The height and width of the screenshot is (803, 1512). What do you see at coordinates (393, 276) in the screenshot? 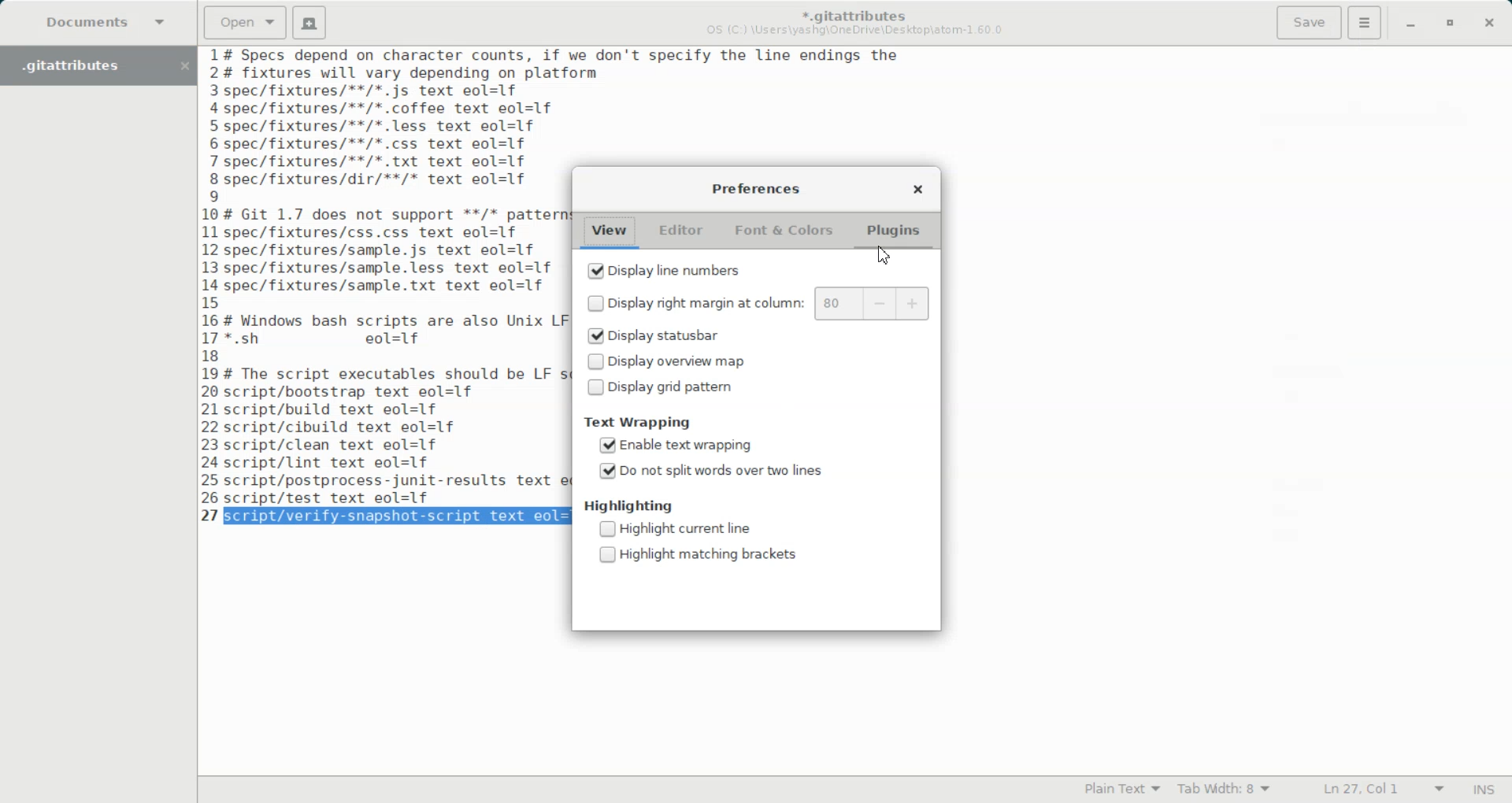
I see `# Specs depend on character counts, if we don't specify the line endings the
 # fixtures will vary depending on platform
 spec/fixtures/**/*.js text eol=1f
-spec/fixtures/**/*.coffee text eol=1f
 spec/fixtures/**/*.less text eol=1f
 spec/fixtures/**/*.css text eol=1f
'spec/fixtures/**/*. txt text eol=1f
 spec/fixtures/dir/**/* text eol=1f

| # Git 1.7 does not support **/* patterns
spec/fixtures/css.css text eol=1f
 spec/fixtures/sample.js text eol=1f
 spec/fixtures/sample.less text eol=1f
-spec/fixtures/sample.txt text eol=1f

;

 # Windows bash scripts are also Unix LF endings
'*.sh eol=1f

 # The script executables should be LF so they can be edited on Windows
 script/bootstrap text eol=1f

script/build text eol=1f

script/cibuild text eol=1f

 script/clean text eol=1f

script/lint text eol=1f
 script/postprocess-junit-results text eol=1f
 script/test text eol=1f` at bounding box center [393, 276].